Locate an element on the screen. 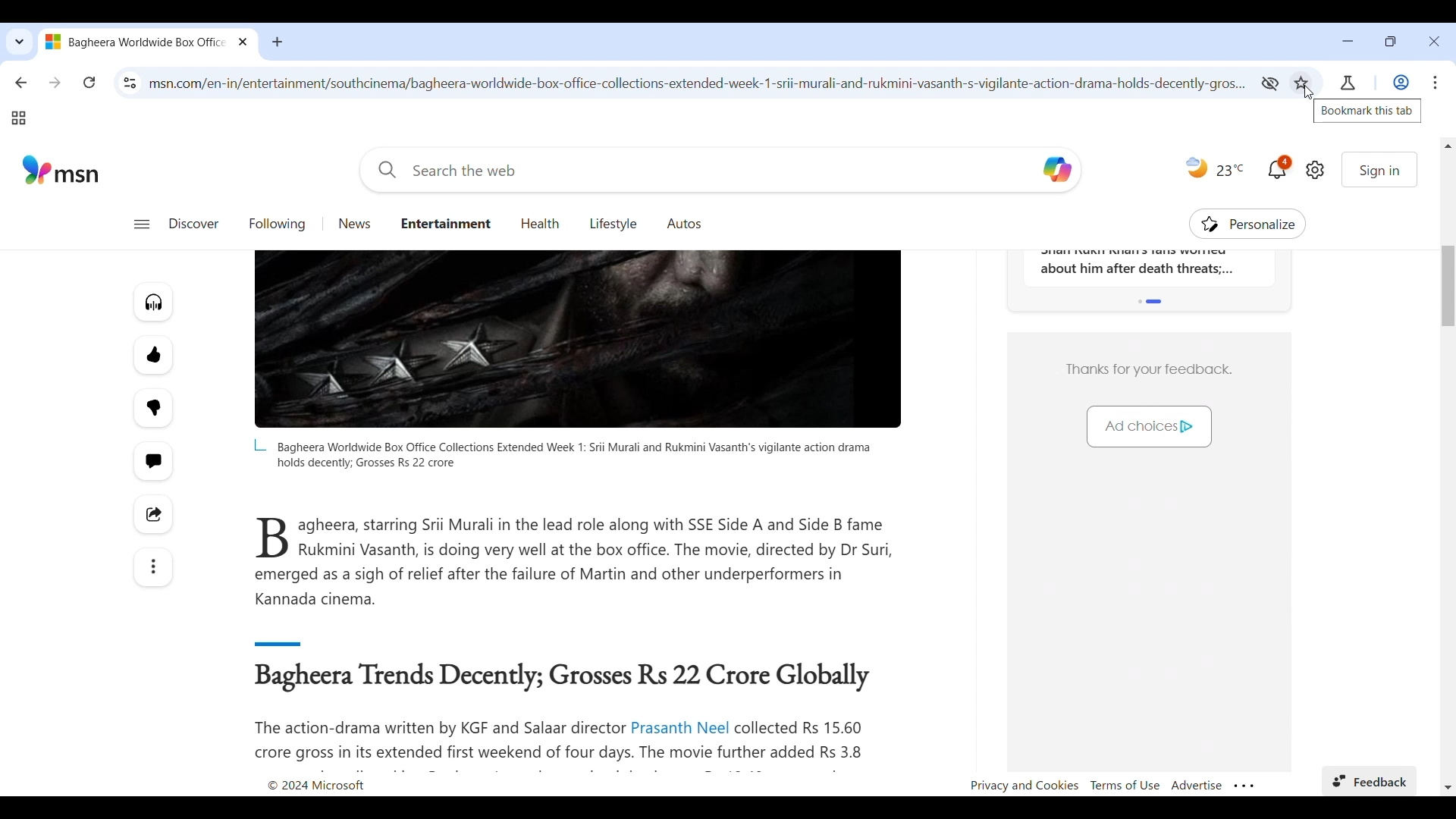  Web link of current page is located at coordinates (699, 83).